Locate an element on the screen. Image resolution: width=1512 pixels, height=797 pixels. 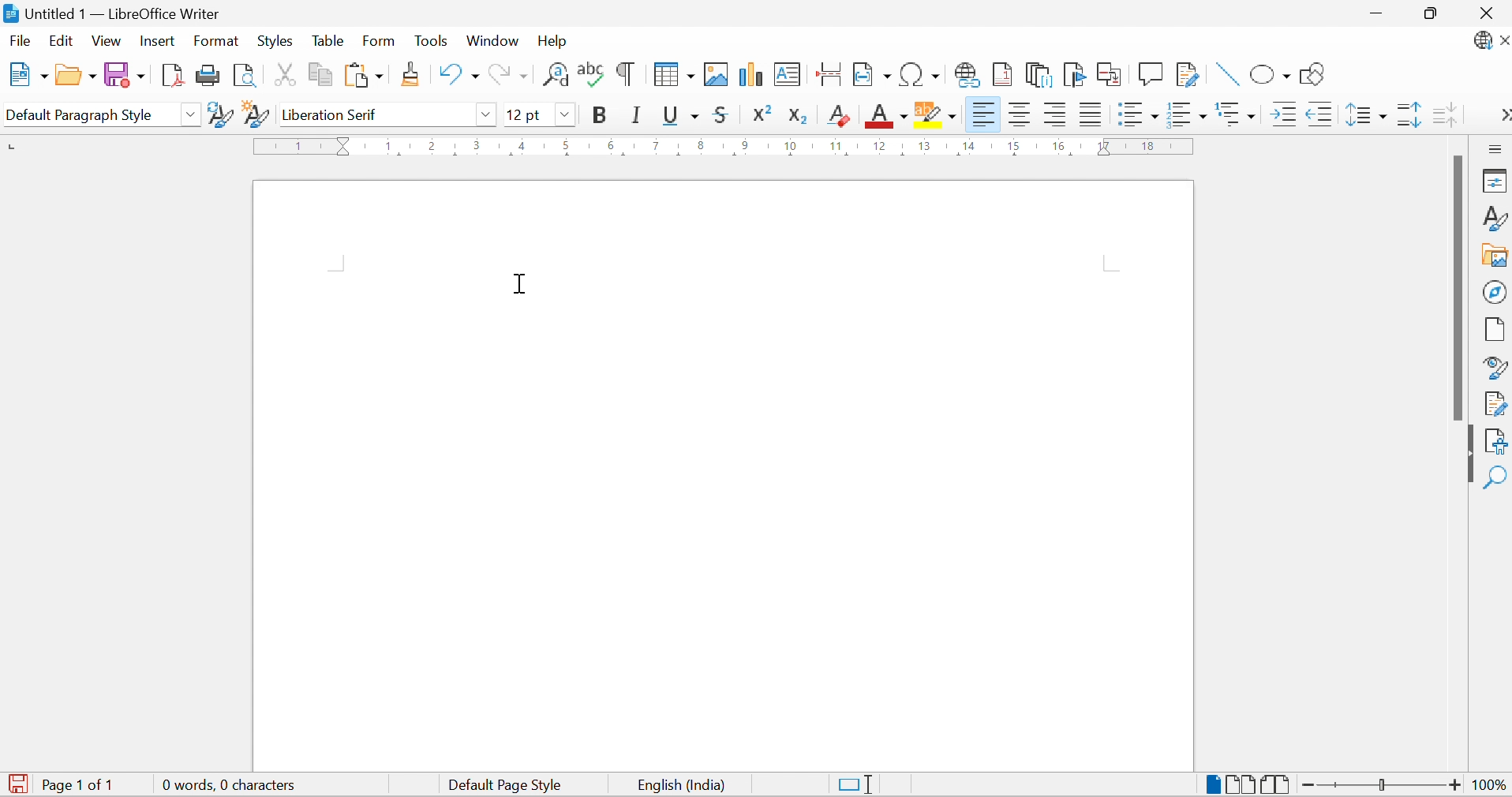
Format is located at coordinates (217, 42).